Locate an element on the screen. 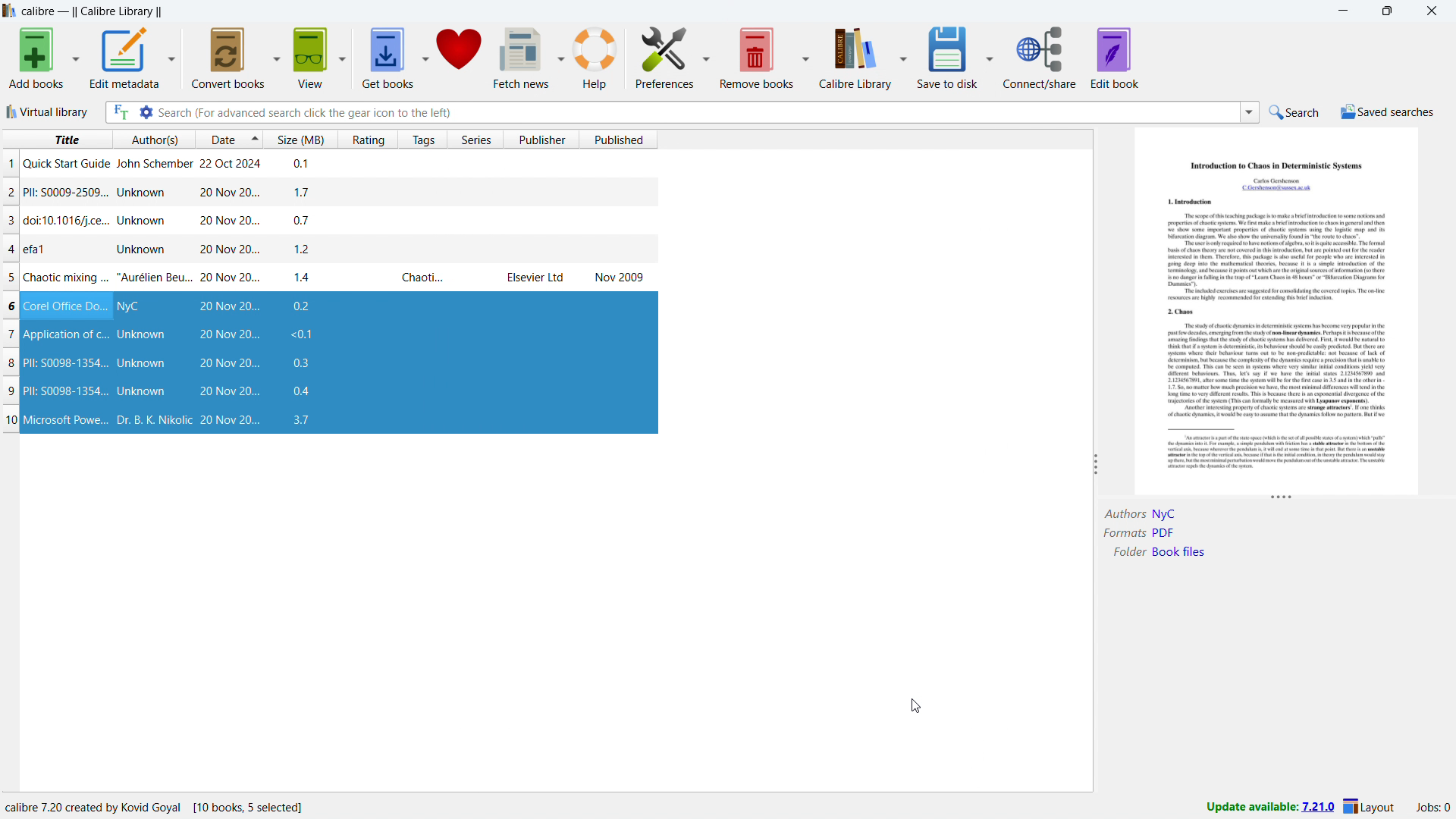 The width and height of the screenshot is (1456, 819). layout is located at coordinates (1371, 807).